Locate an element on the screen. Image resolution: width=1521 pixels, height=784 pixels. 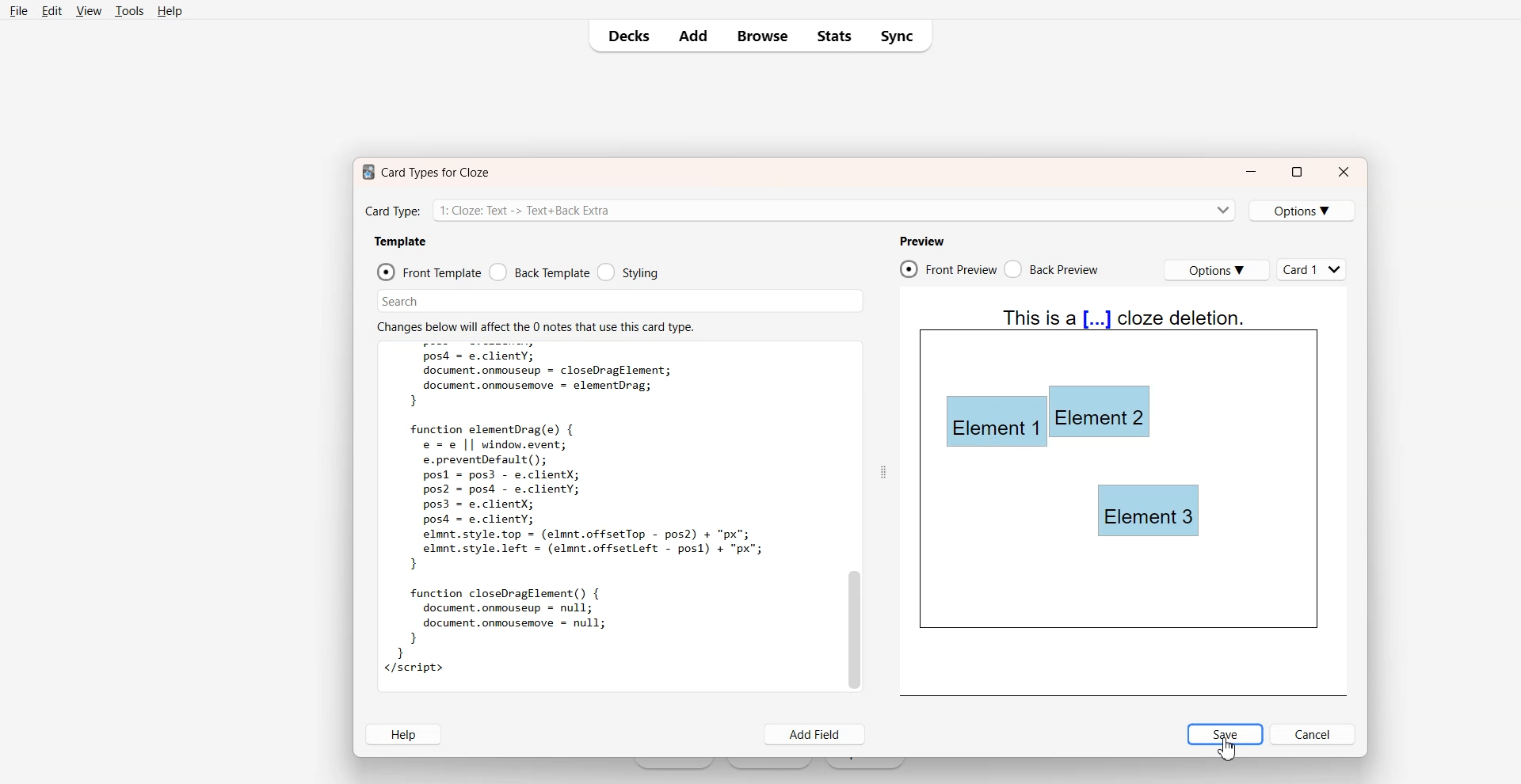
Template is located at coordinates (400, 242).